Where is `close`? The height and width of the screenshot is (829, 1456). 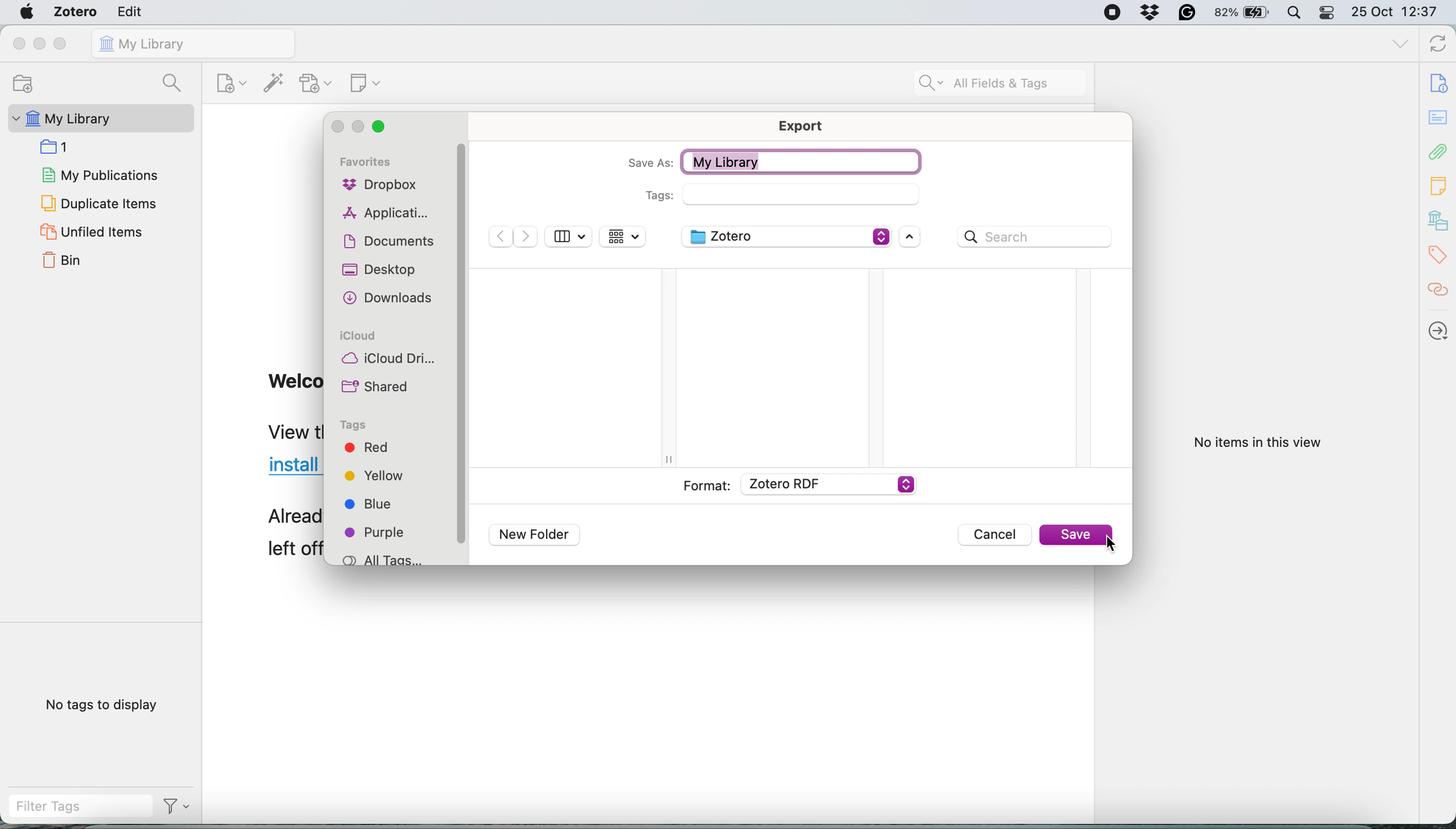
close is located at coordinates (17, 44).